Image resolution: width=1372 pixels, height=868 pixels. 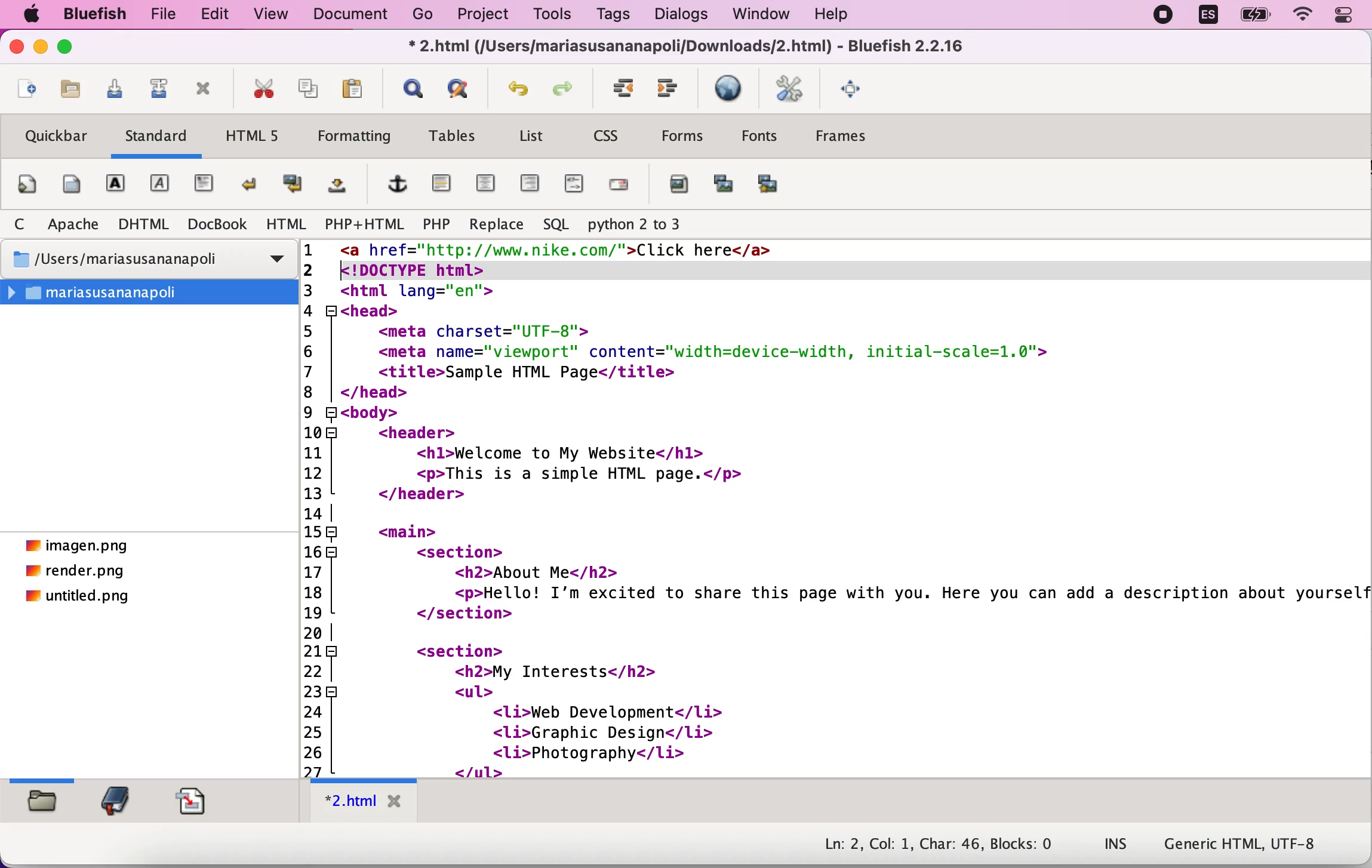 What do you see at coordinates (442, 184) in the screenshot?
I see `horizontal rule` at bounding box center [442, 184].